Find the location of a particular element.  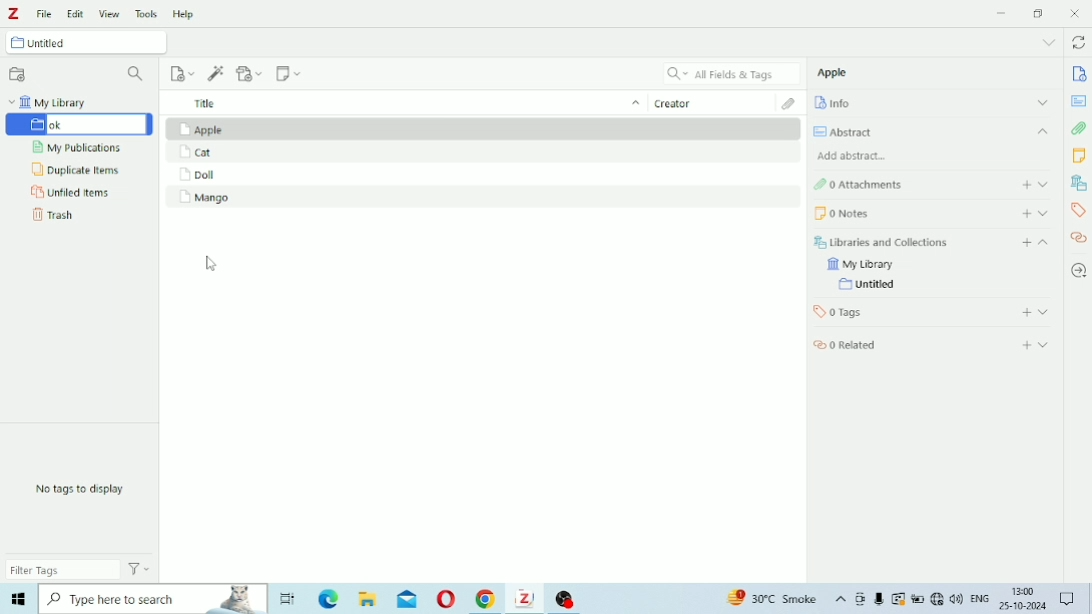

Restore Down is located at coordinates (1038, 13).